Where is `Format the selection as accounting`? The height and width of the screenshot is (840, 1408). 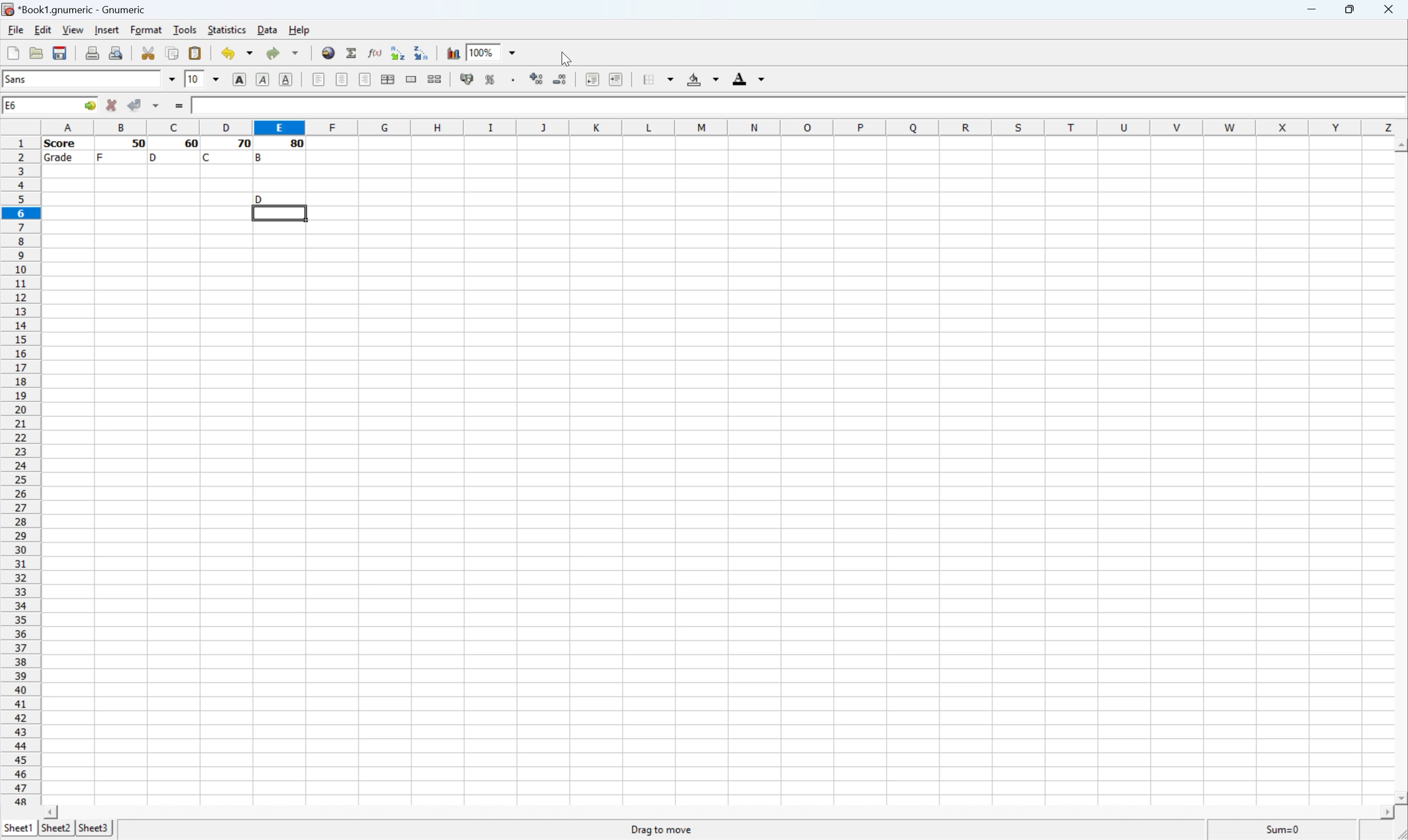
Format the selection as accounting is located at coordinates (462, 81).